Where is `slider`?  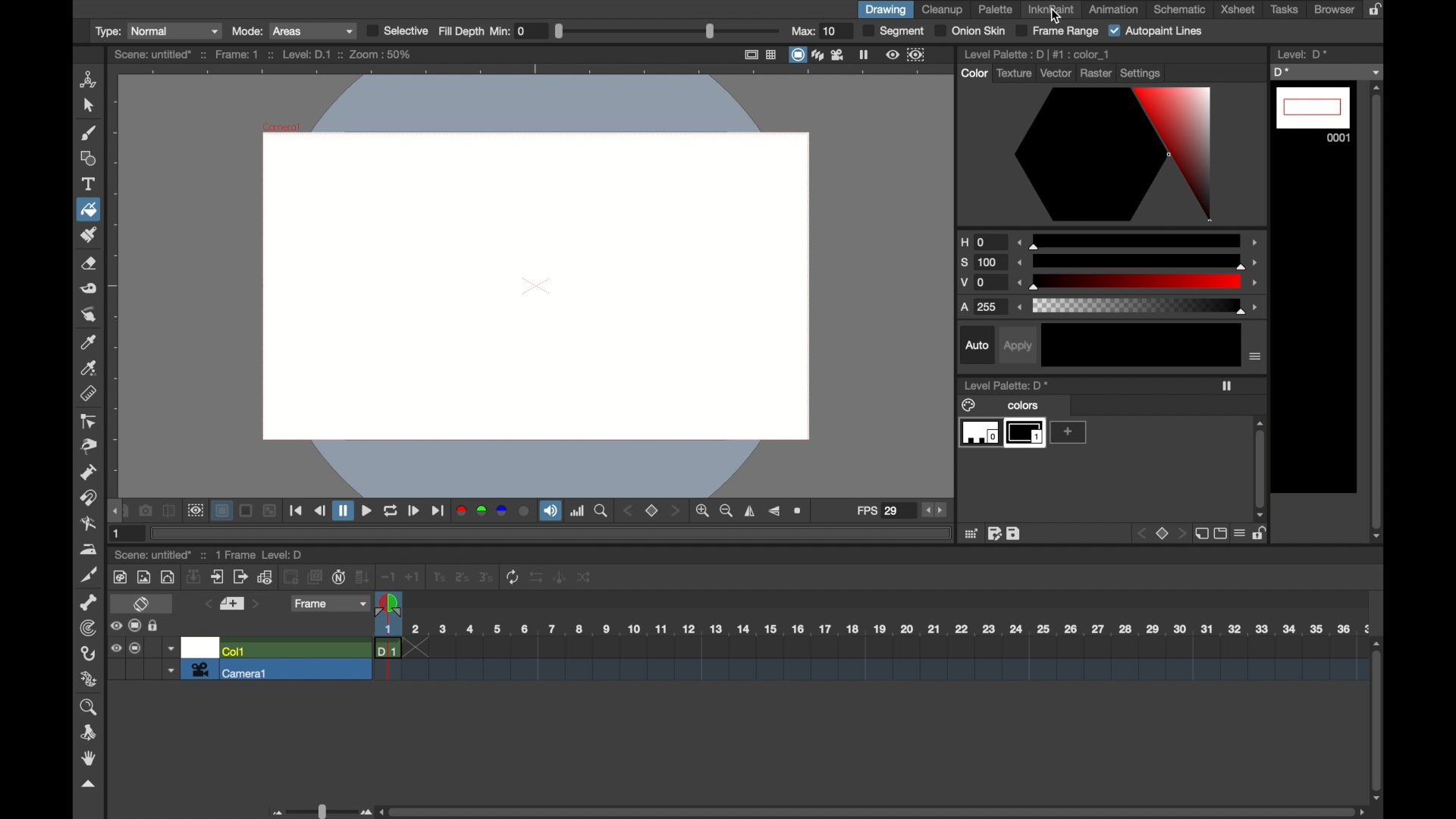 slider is located at coordinates (667, 30).